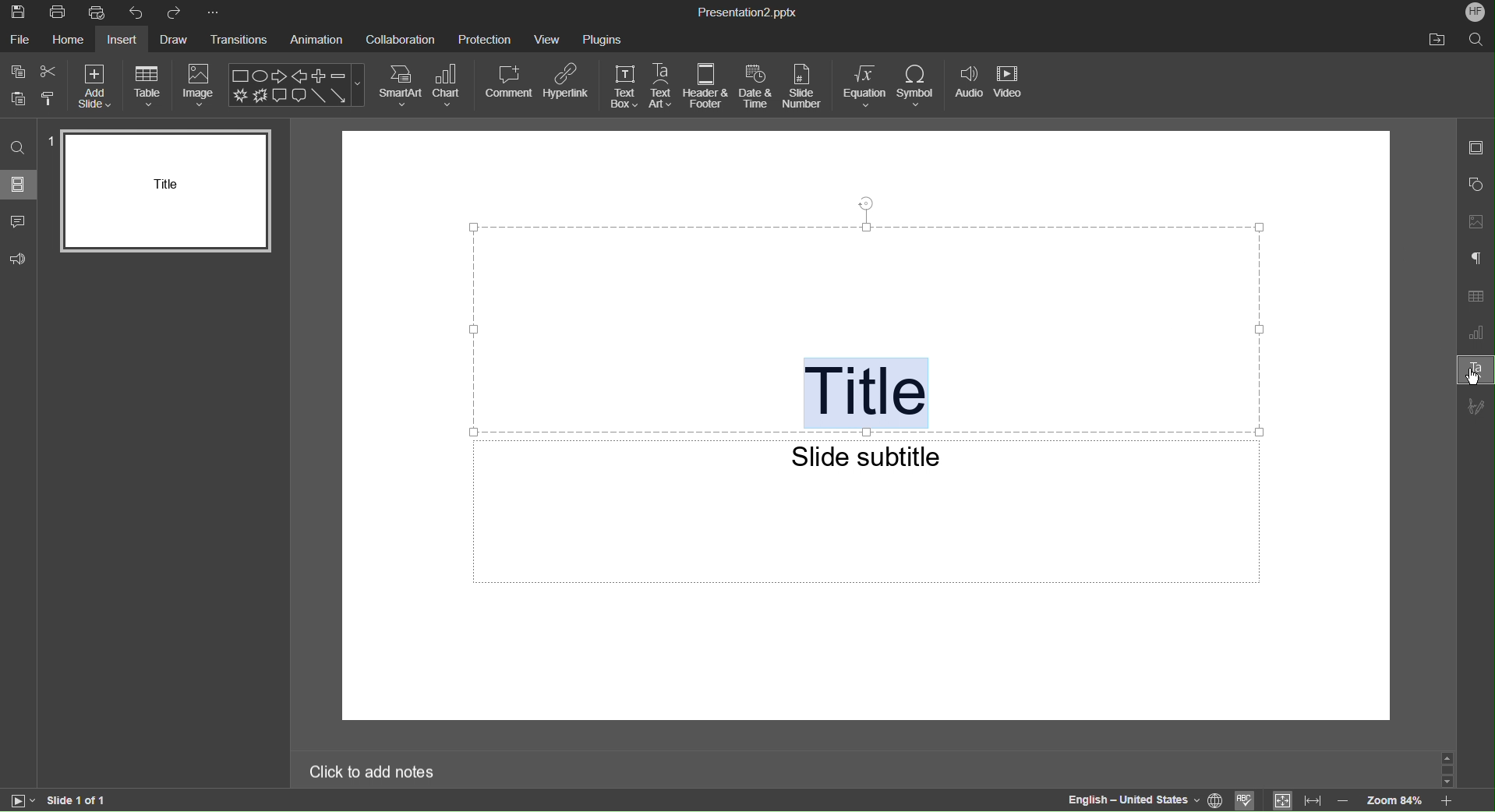 The width and height of the screenshot is (1495, 812). Describe the element at coordinates (450, 86) in the screenshot. I see `Chart` at that location.